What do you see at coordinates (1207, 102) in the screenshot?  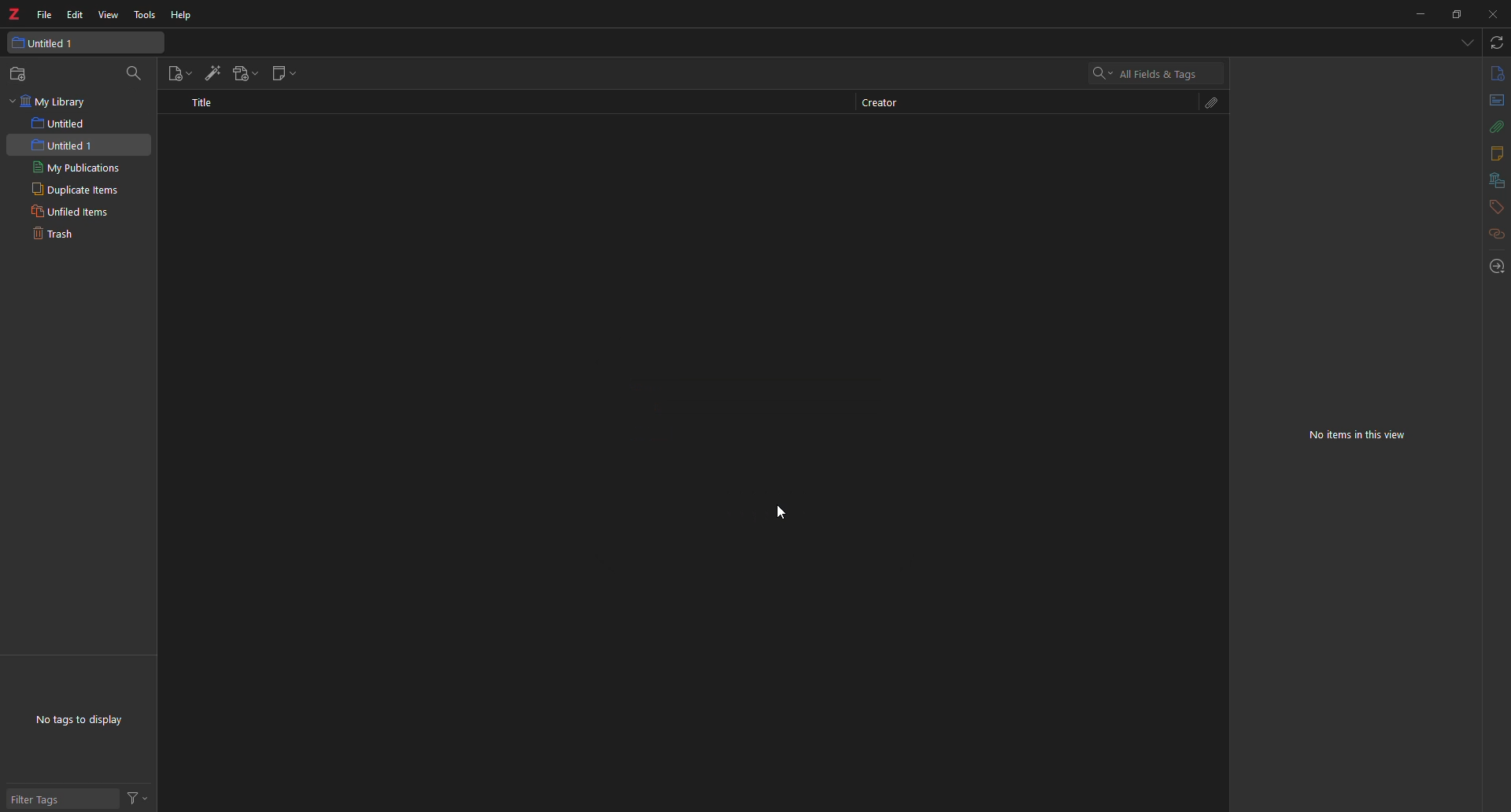 I see `attach` at bounding box center [1207, 102].